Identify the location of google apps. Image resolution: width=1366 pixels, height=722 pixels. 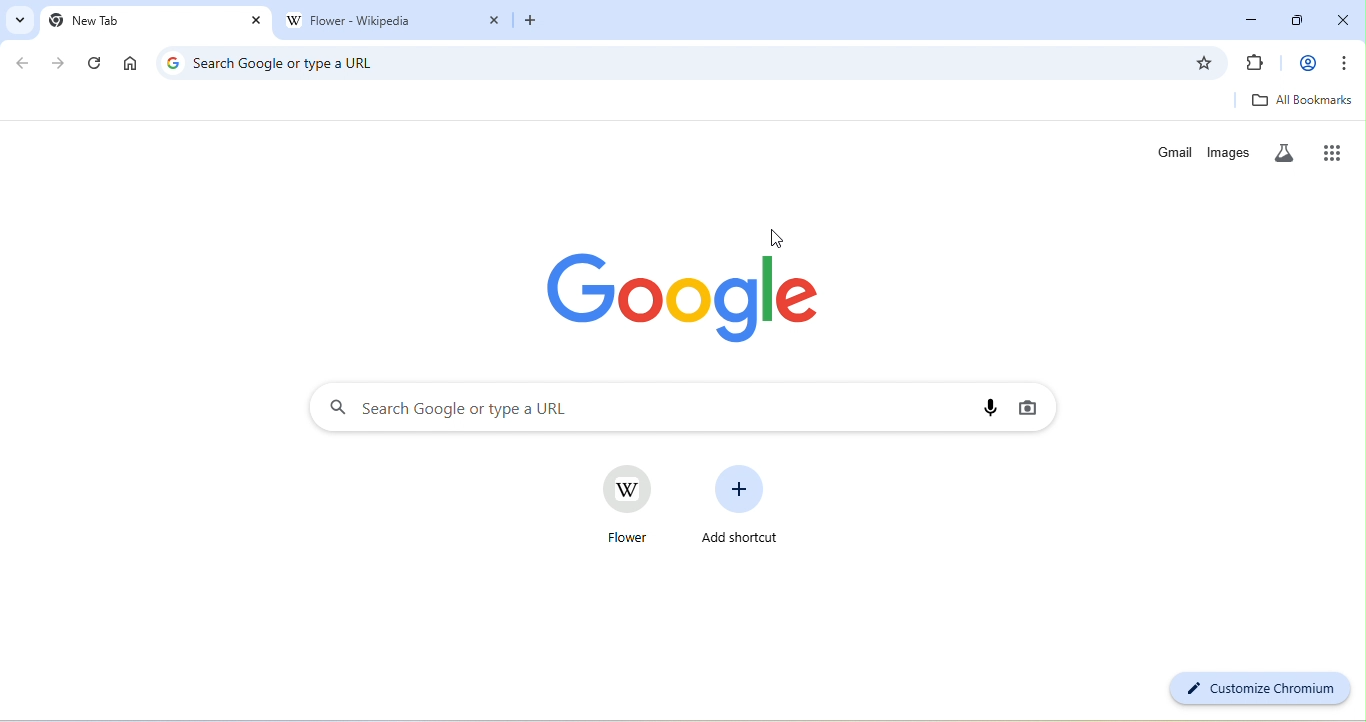
(1338, 151).